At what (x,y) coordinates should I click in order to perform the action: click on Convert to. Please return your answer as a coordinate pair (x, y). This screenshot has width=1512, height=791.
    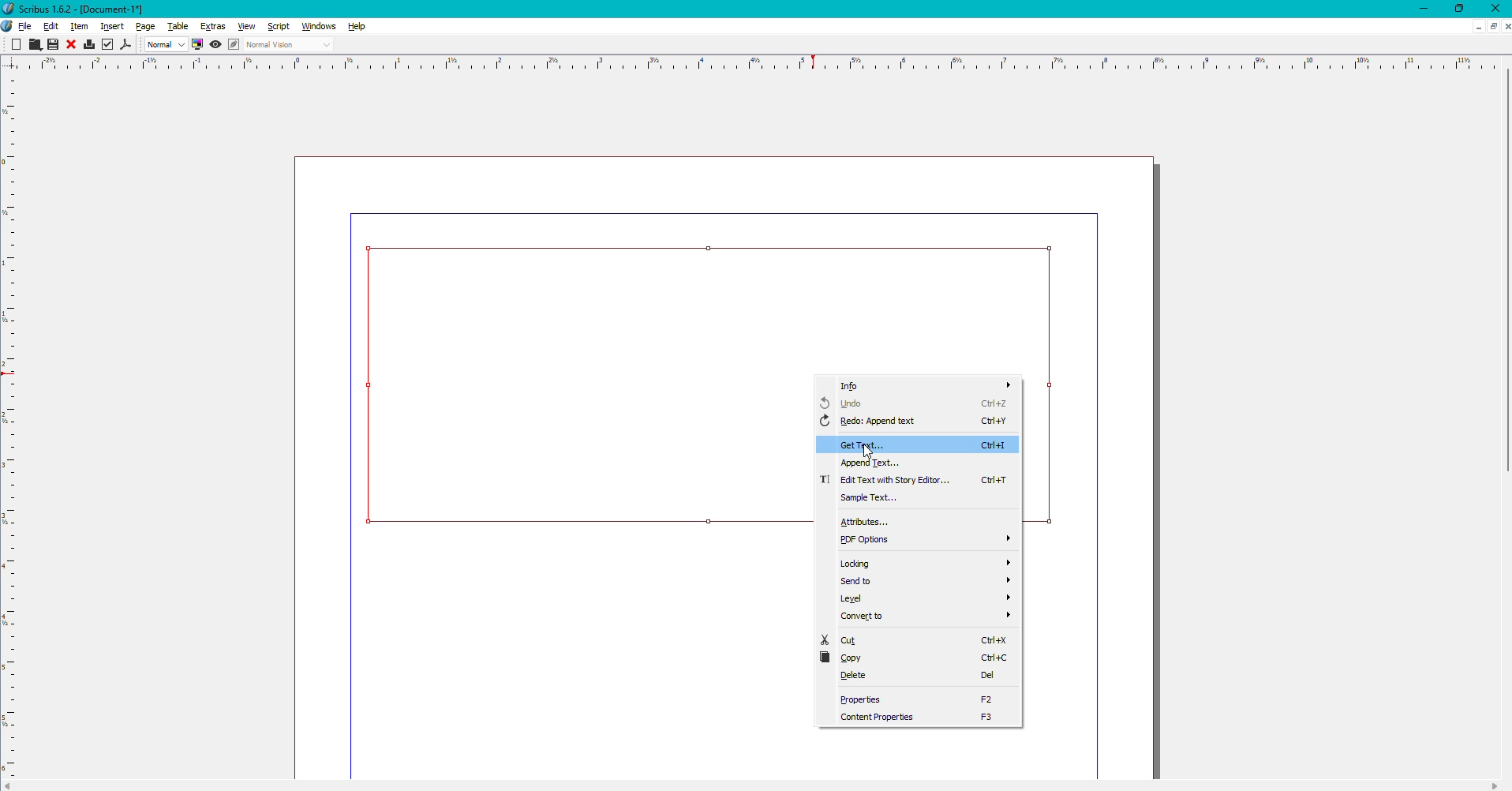
    Looking at the image, I should click on (912, 618).